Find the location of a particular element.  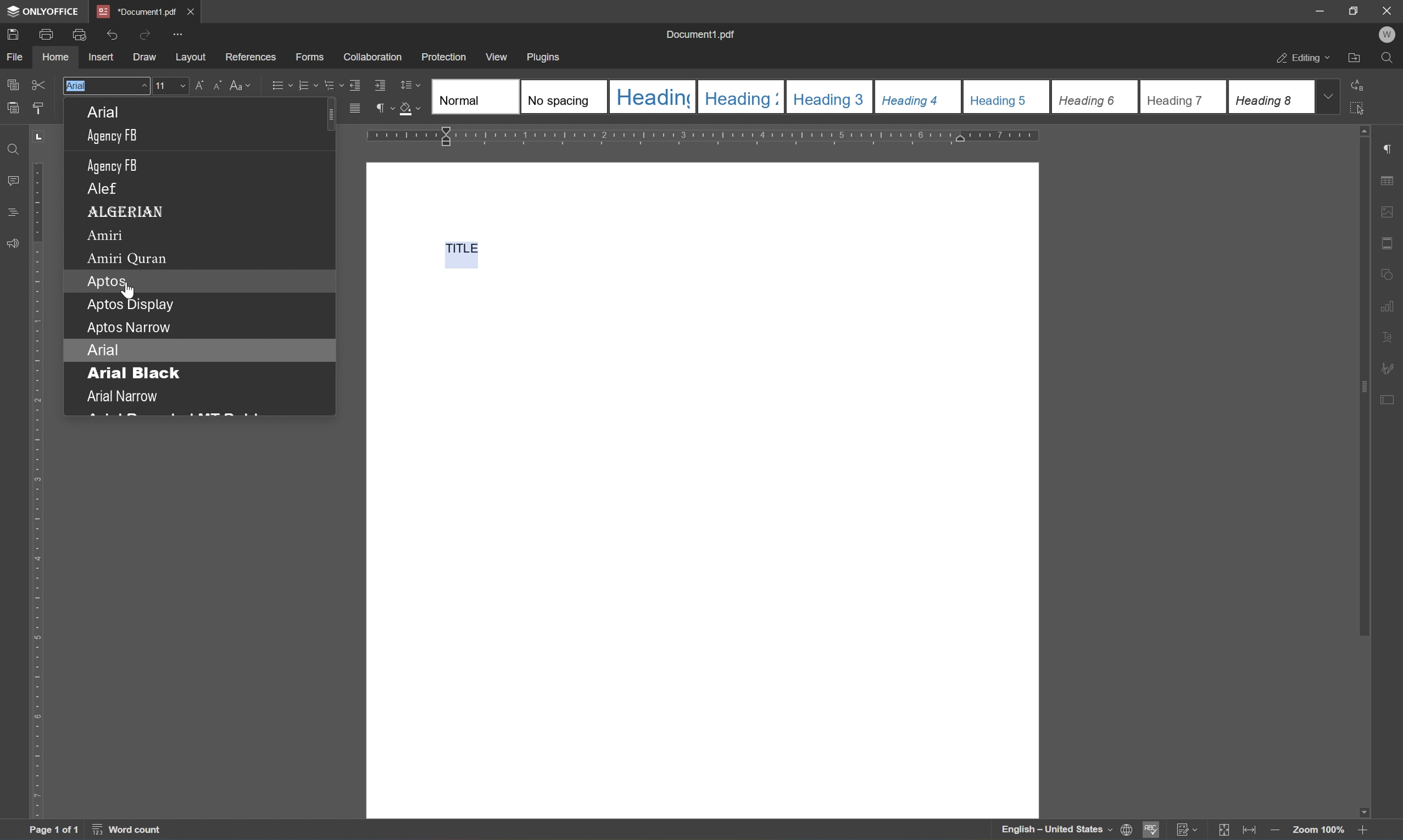

close is located at coordinates (1389, 10).